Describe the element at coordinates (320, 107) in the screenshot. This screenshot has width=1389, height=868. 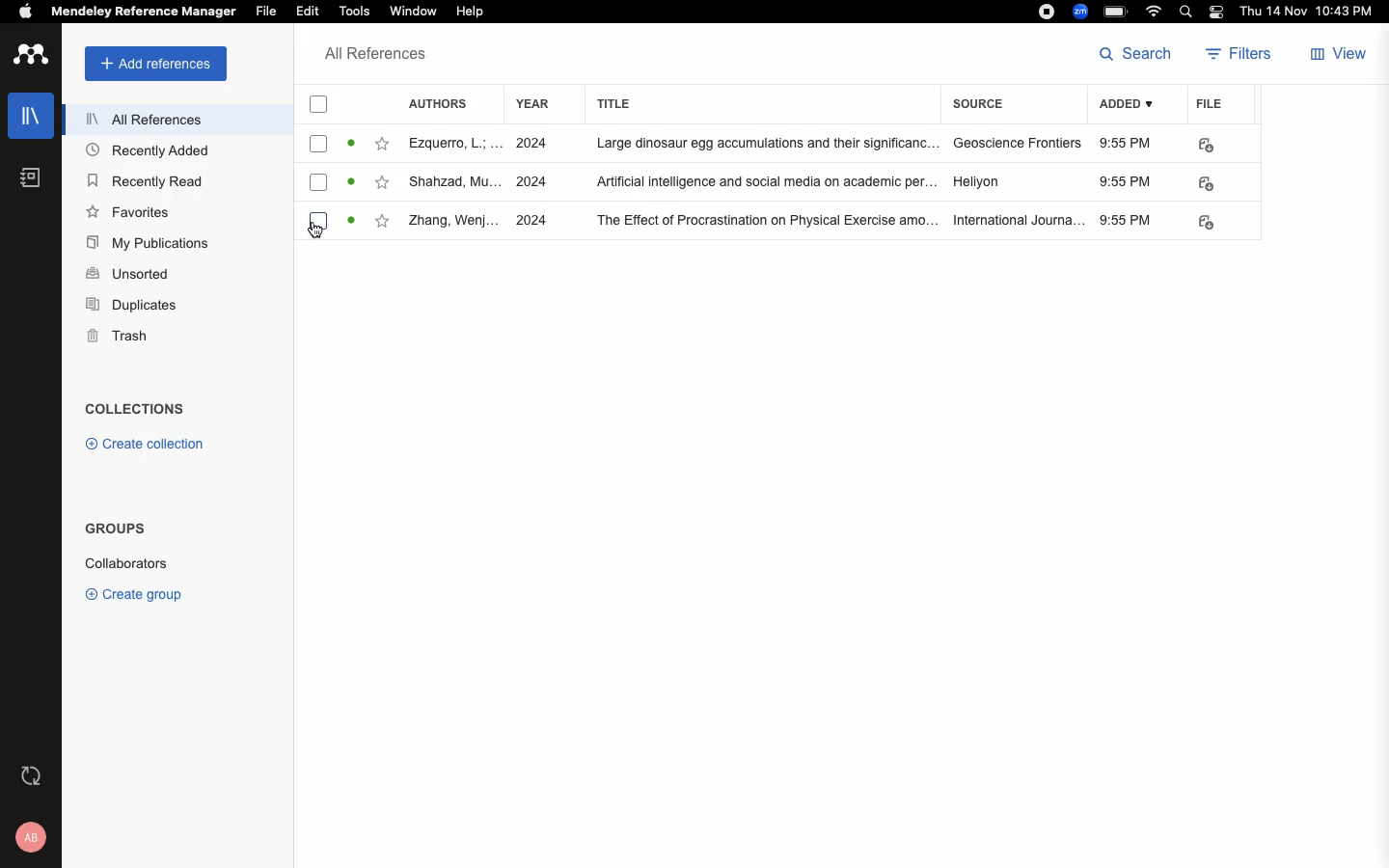
I see `Selection checkbox` at that location.